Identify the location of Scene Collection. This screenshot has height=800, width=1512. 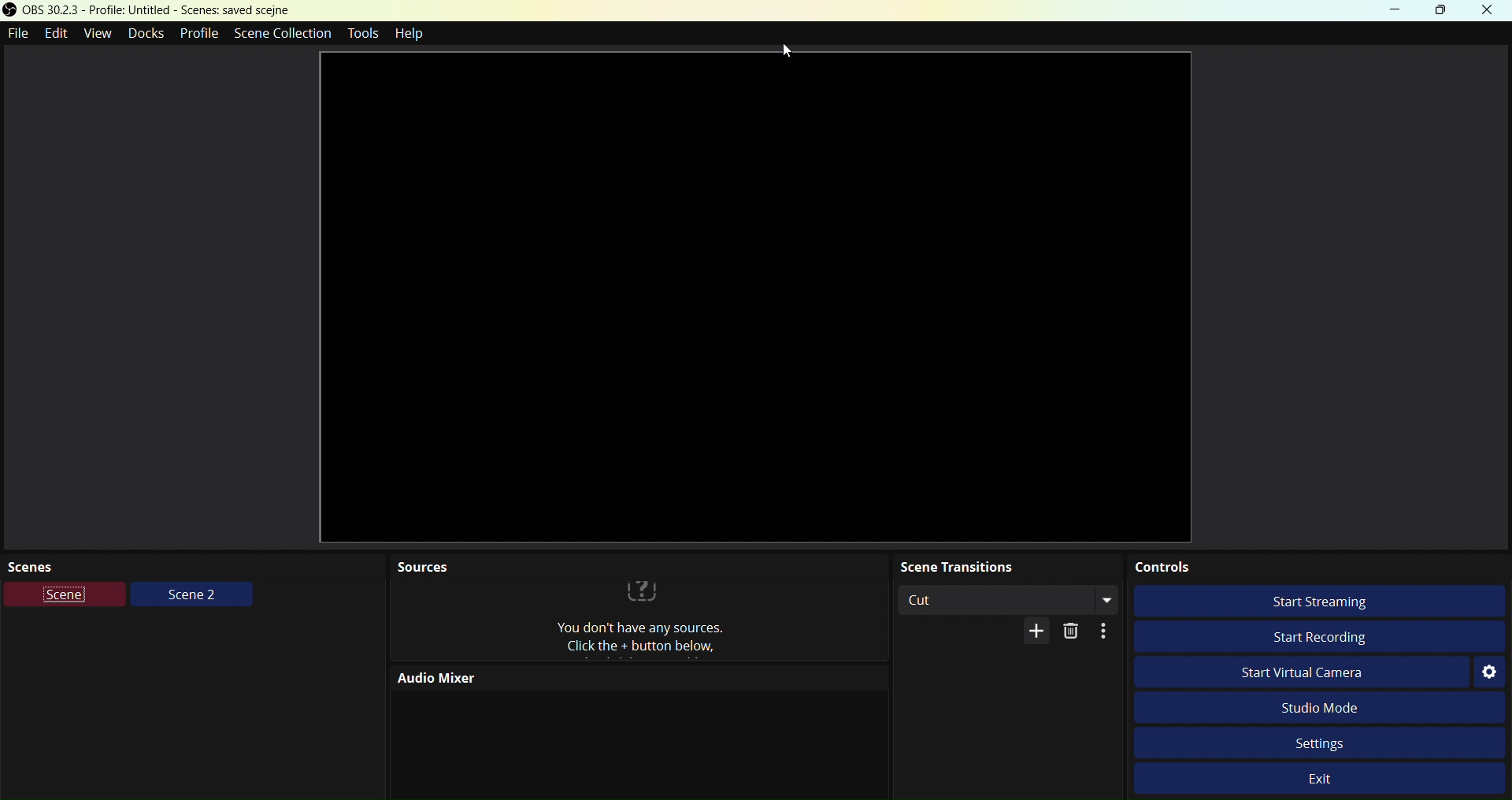
(283, 34).